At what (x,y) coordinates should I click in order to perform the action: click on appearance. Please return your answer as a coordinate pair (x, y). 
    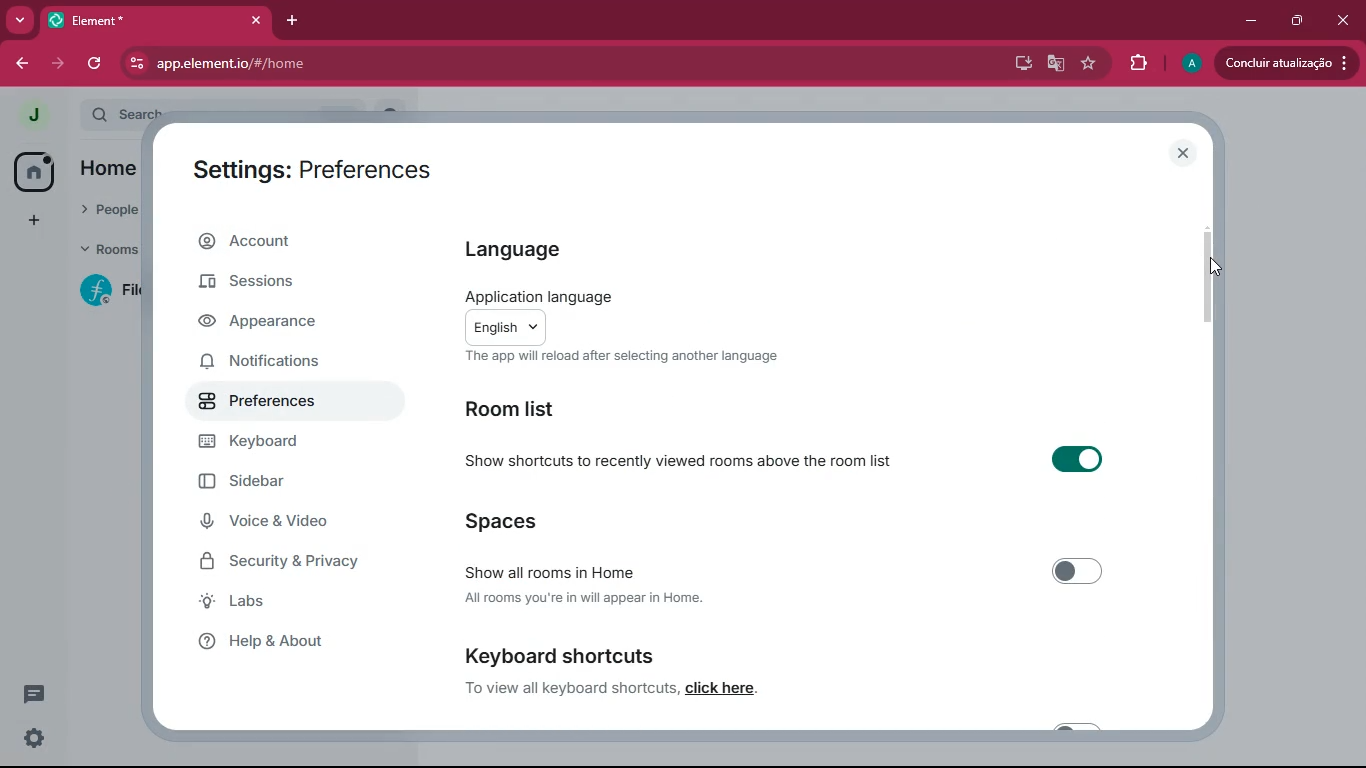
    Looking at the image, I should click on (276, 323).